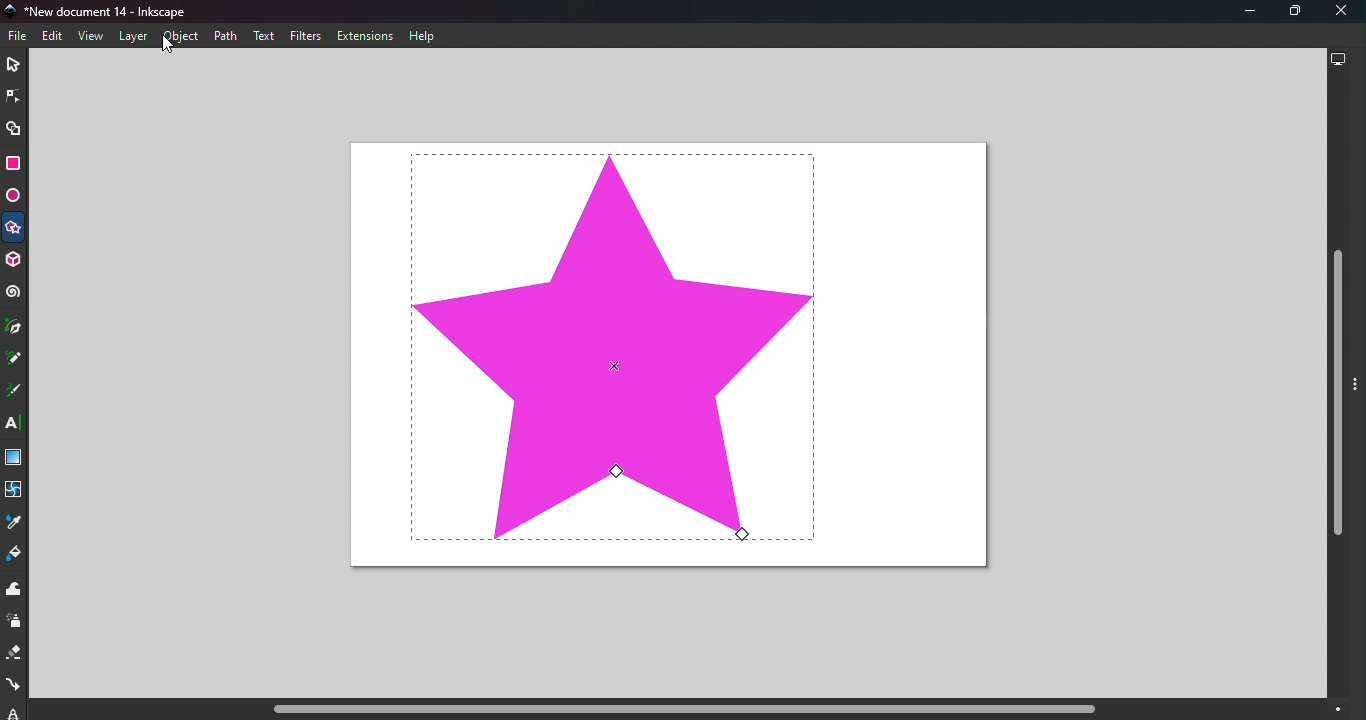  Describe the element at coordinates (164, 46) in the screenshot. I see `Cursor` at that location.